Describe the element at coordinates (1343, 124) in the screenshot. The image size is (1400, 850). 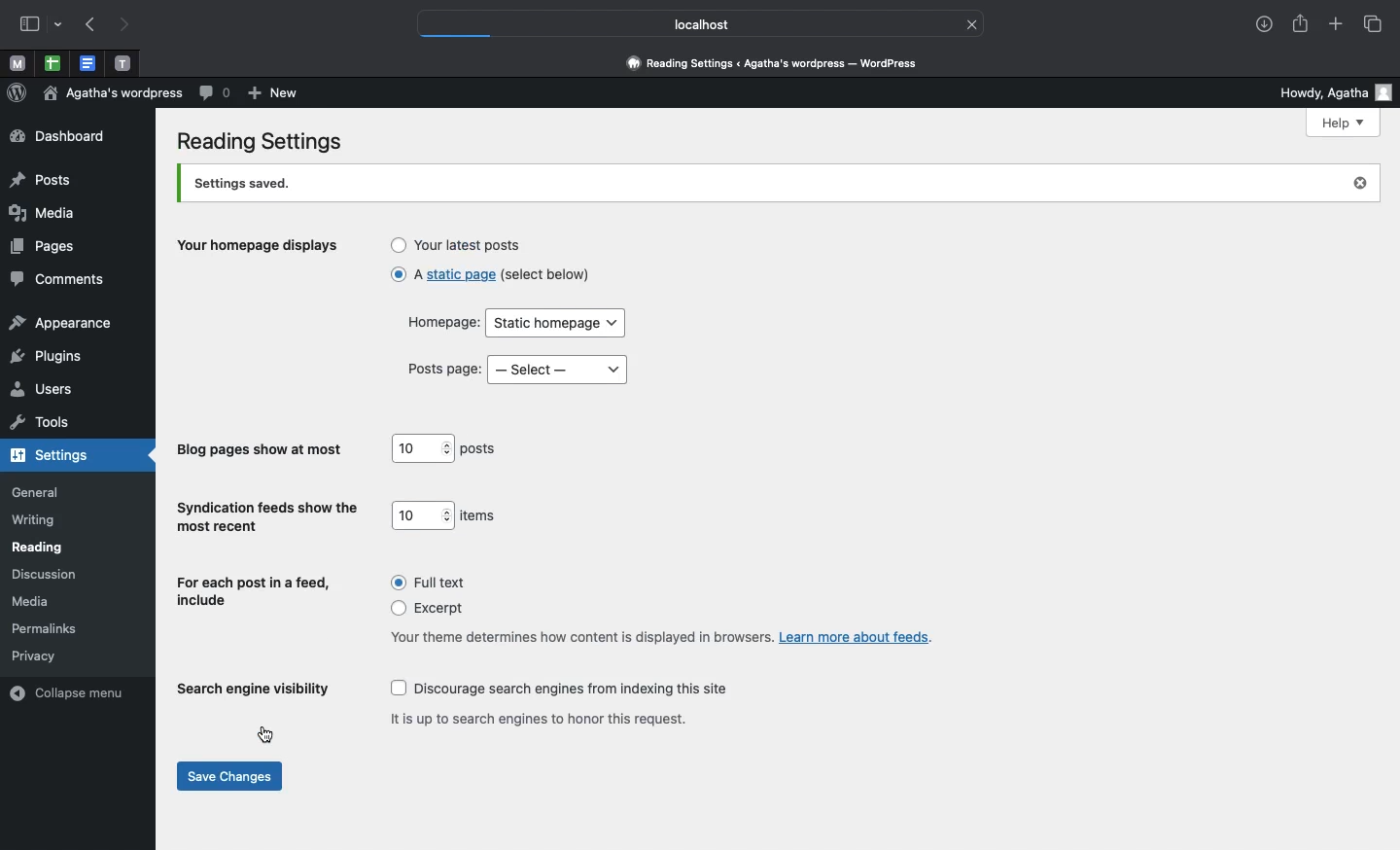
I see `Help` at that location.